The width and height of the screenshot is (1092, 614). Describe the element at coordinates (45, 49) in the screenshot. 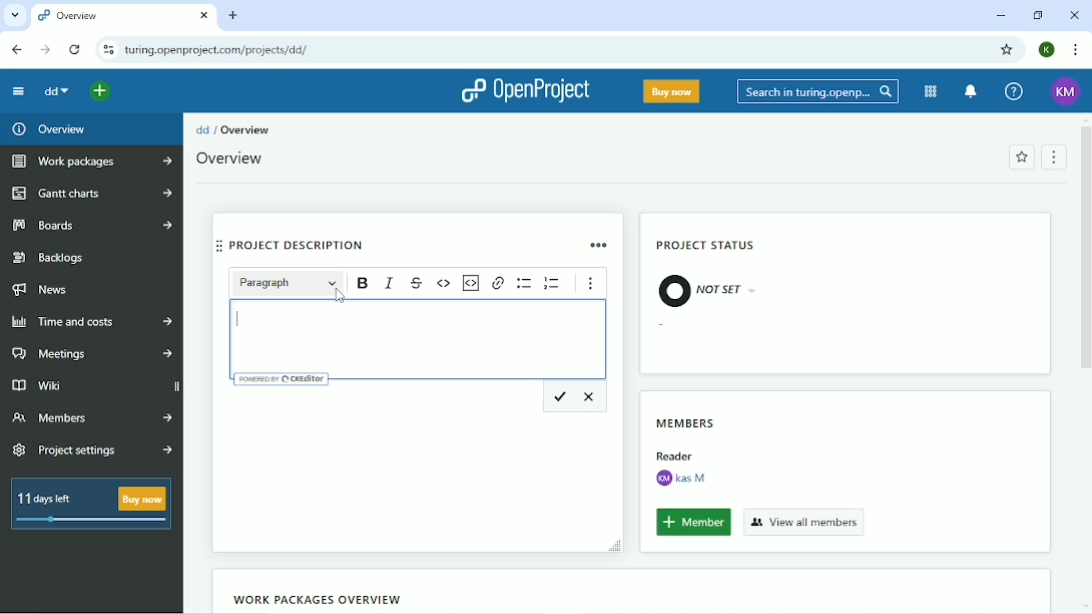

I see `Forward` at that location.